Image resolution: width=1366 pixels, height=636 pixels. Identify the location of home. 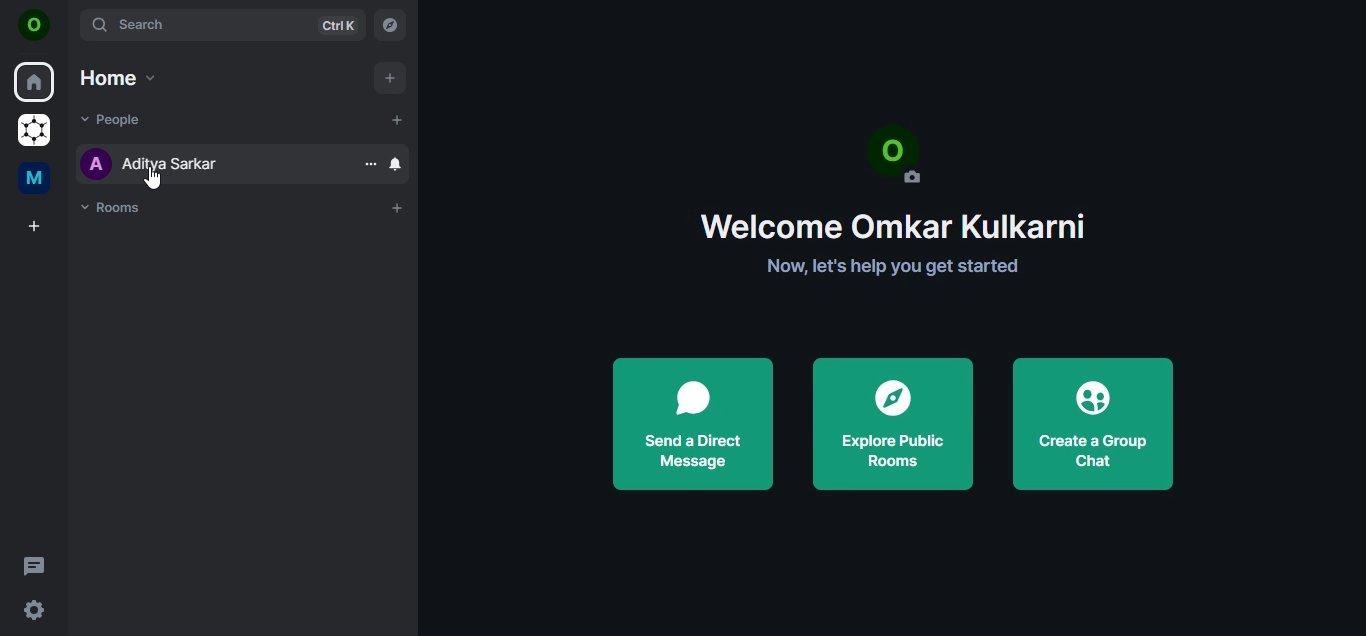
(33, 81).